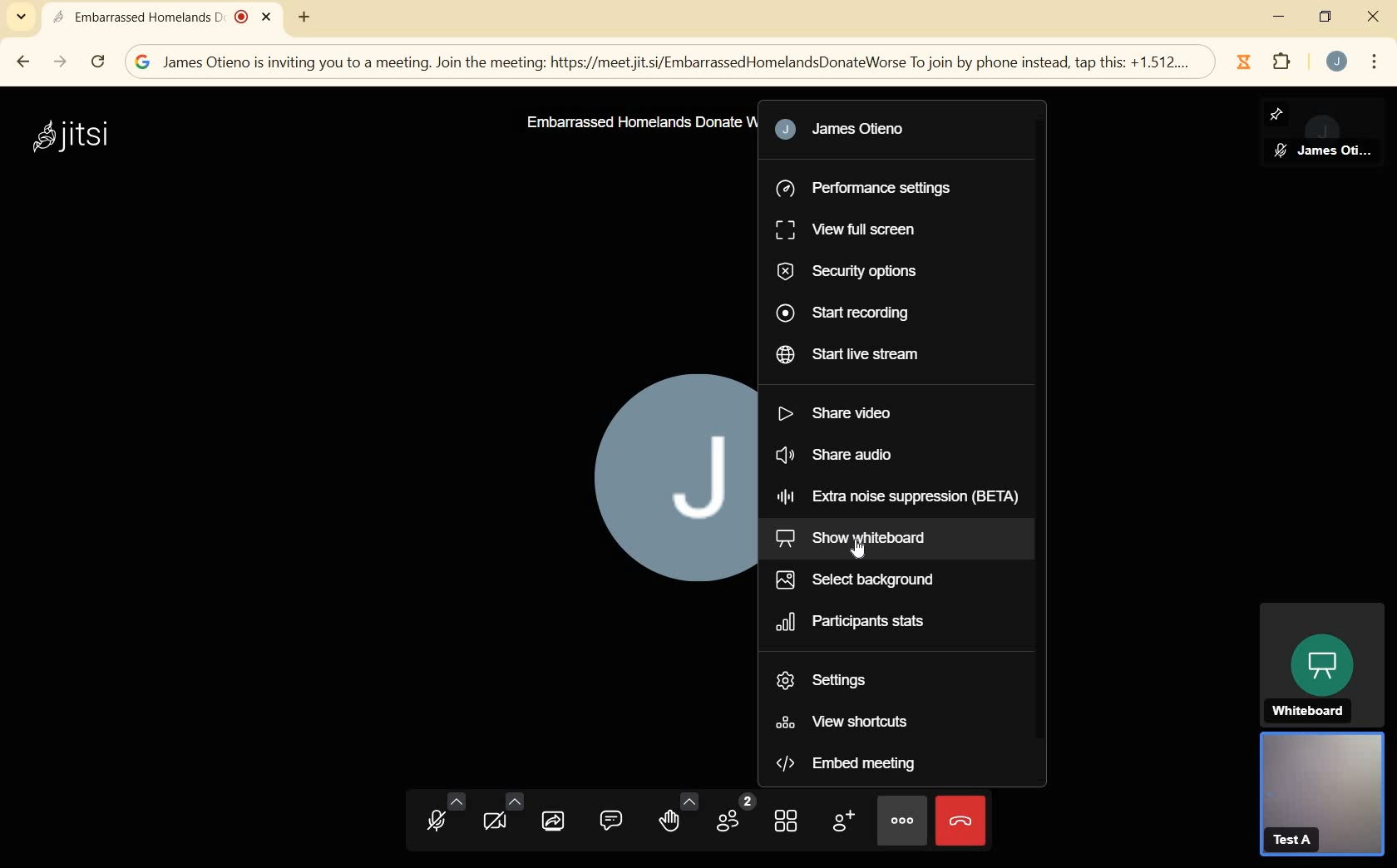 The width and height of the screenshot is (1397, 868). Describe the element at coordinates (555, 821) in the screenshot. I see `screen sharing` at that location.